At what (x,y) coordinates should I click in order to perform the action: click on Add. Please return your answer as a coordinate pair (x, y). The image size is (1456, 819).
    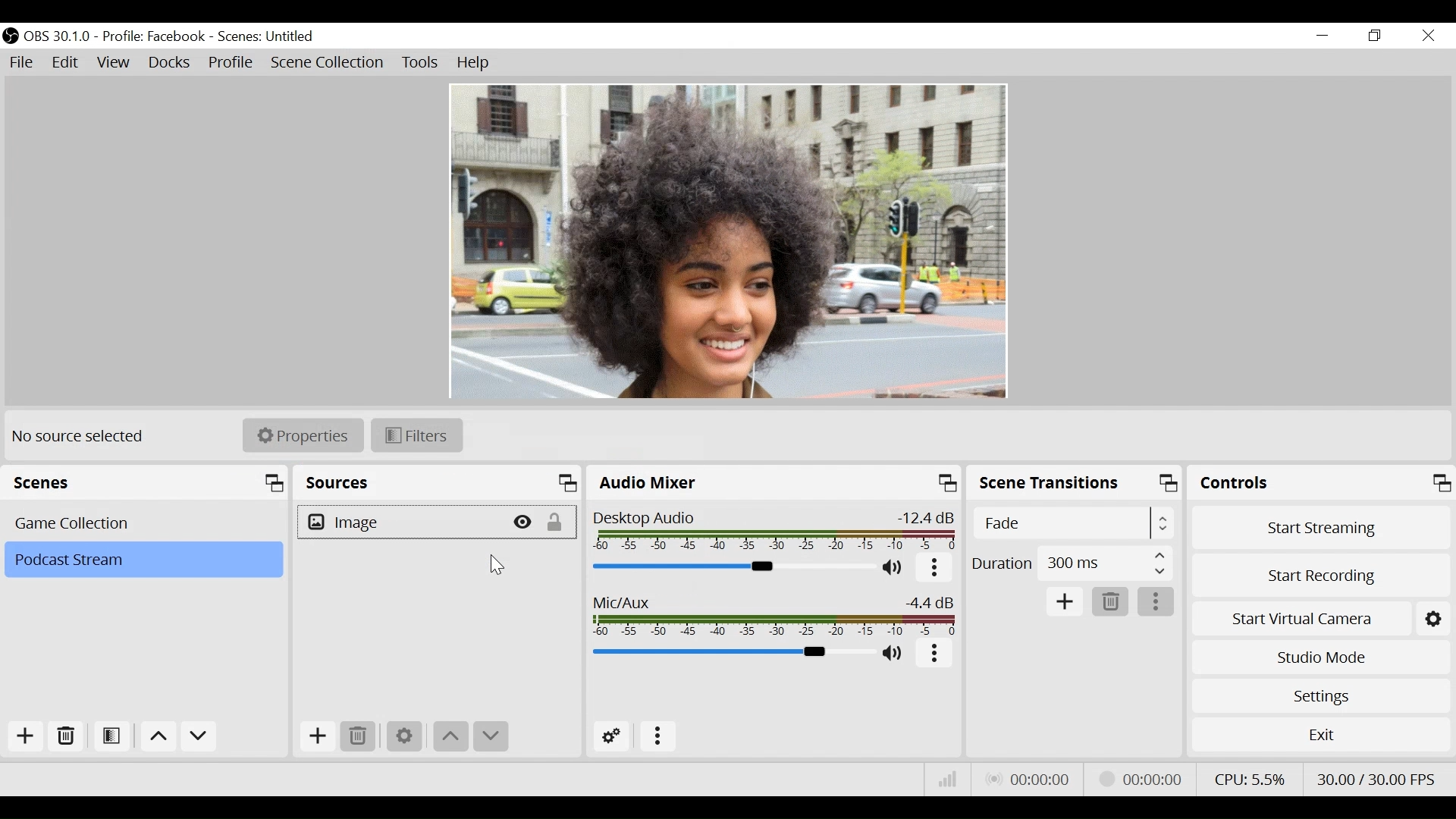
    Looking at the image, I should click on (317, 737).